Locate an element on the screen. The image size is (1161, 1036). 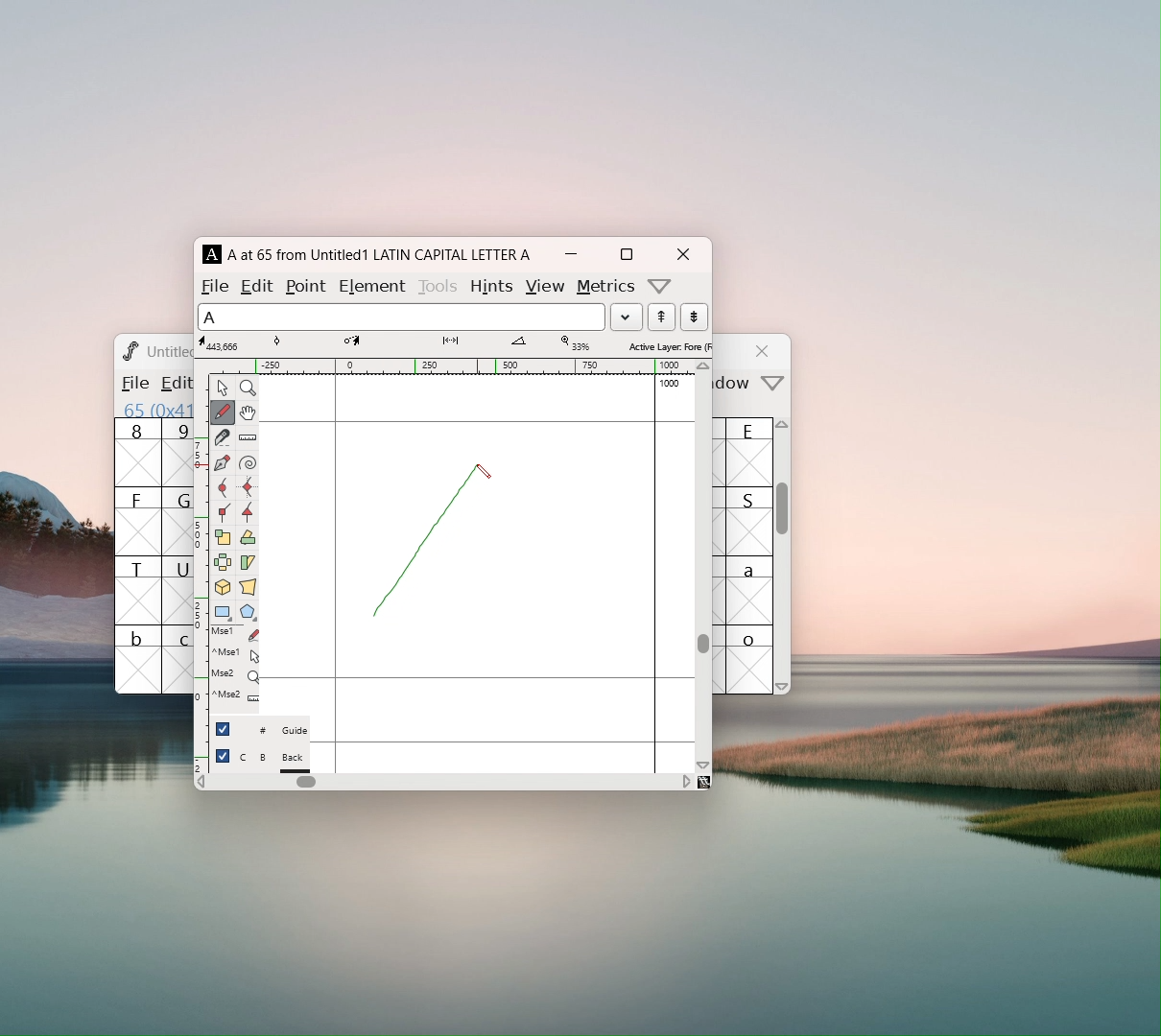
checkbox is located at coordinates (223, 756).